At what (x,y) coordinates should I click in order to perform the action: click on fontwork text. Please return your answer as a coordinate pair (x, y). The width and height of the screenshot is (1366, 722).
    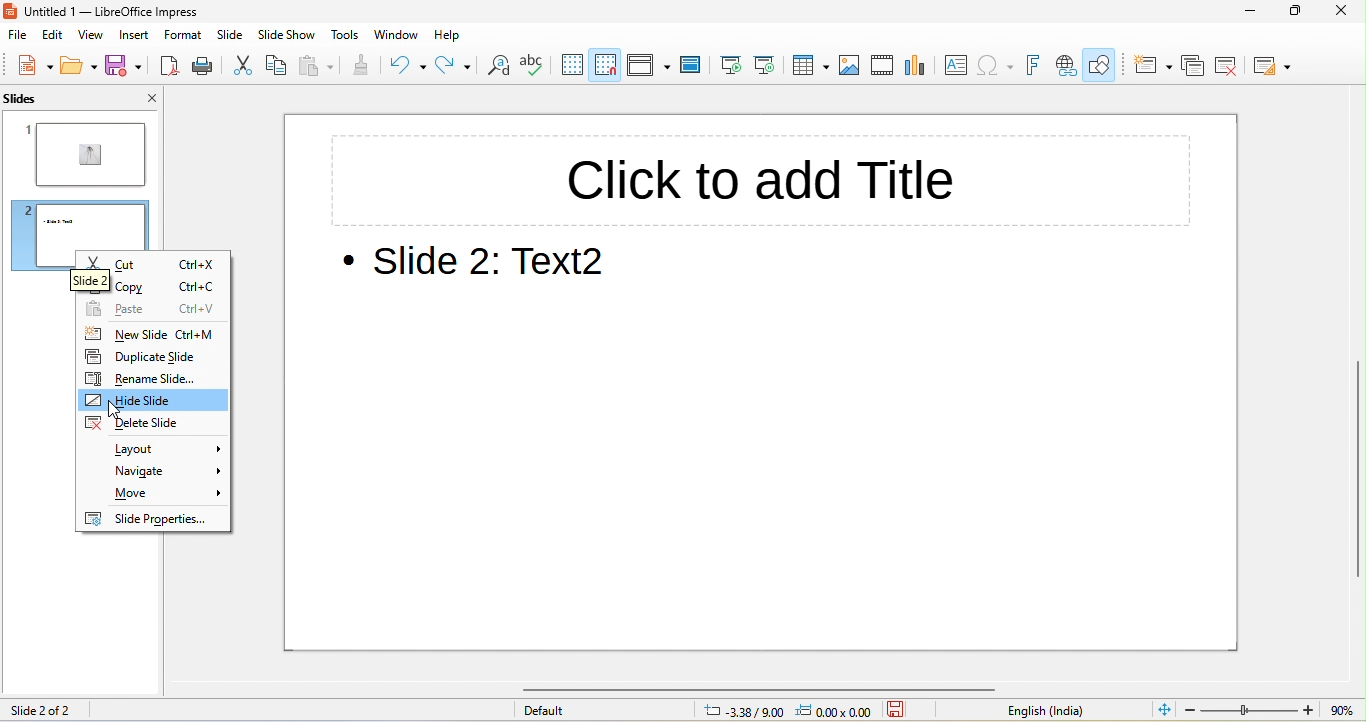
    Looking at the image, I should click on (1035, 65).